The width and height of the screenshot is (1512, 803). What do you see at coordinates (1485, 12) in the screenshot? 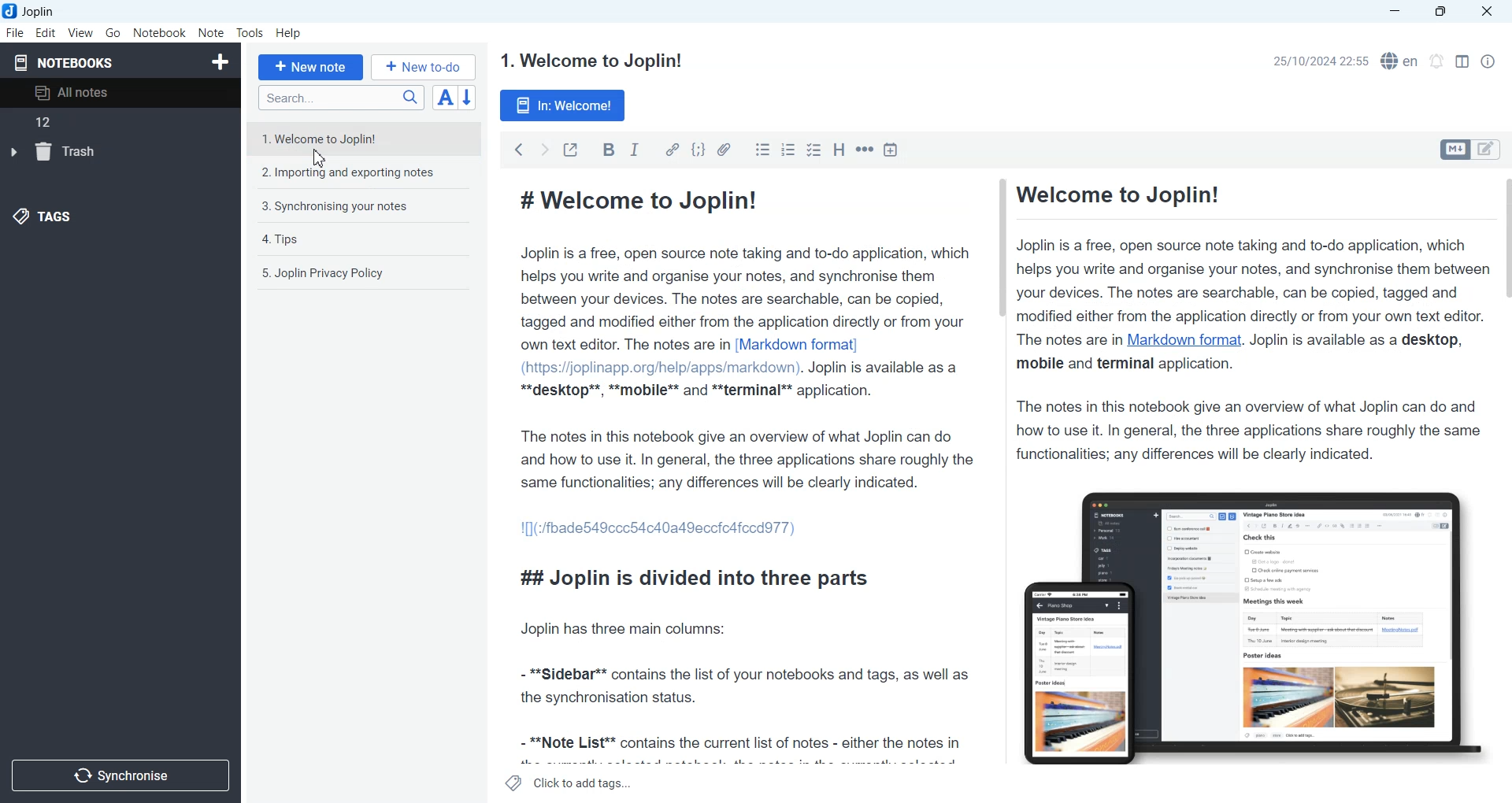
I see `Close` at bounding box center [1485, 12].